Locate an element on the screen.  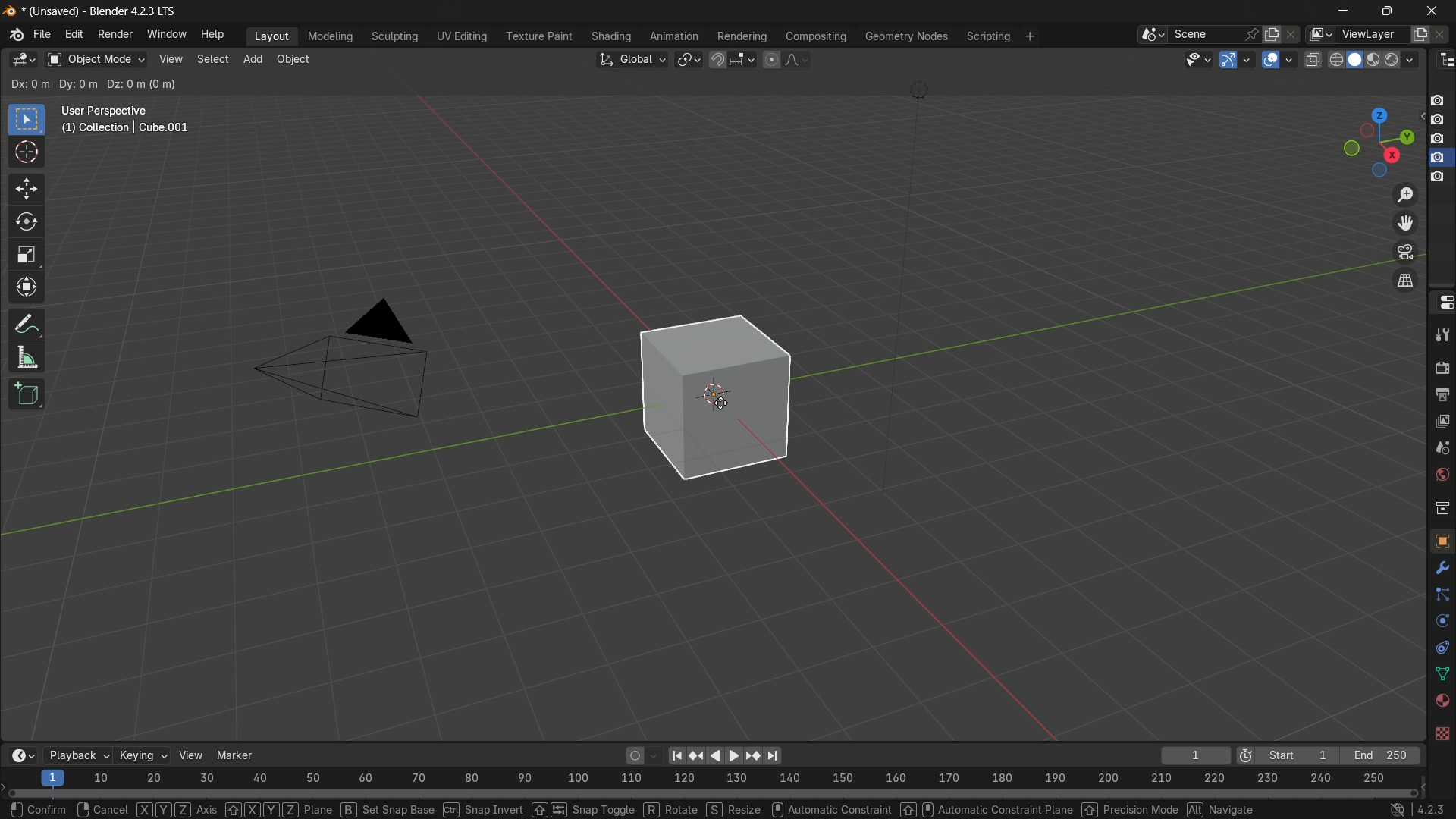
material preview is located at coordinates (1376, 60).